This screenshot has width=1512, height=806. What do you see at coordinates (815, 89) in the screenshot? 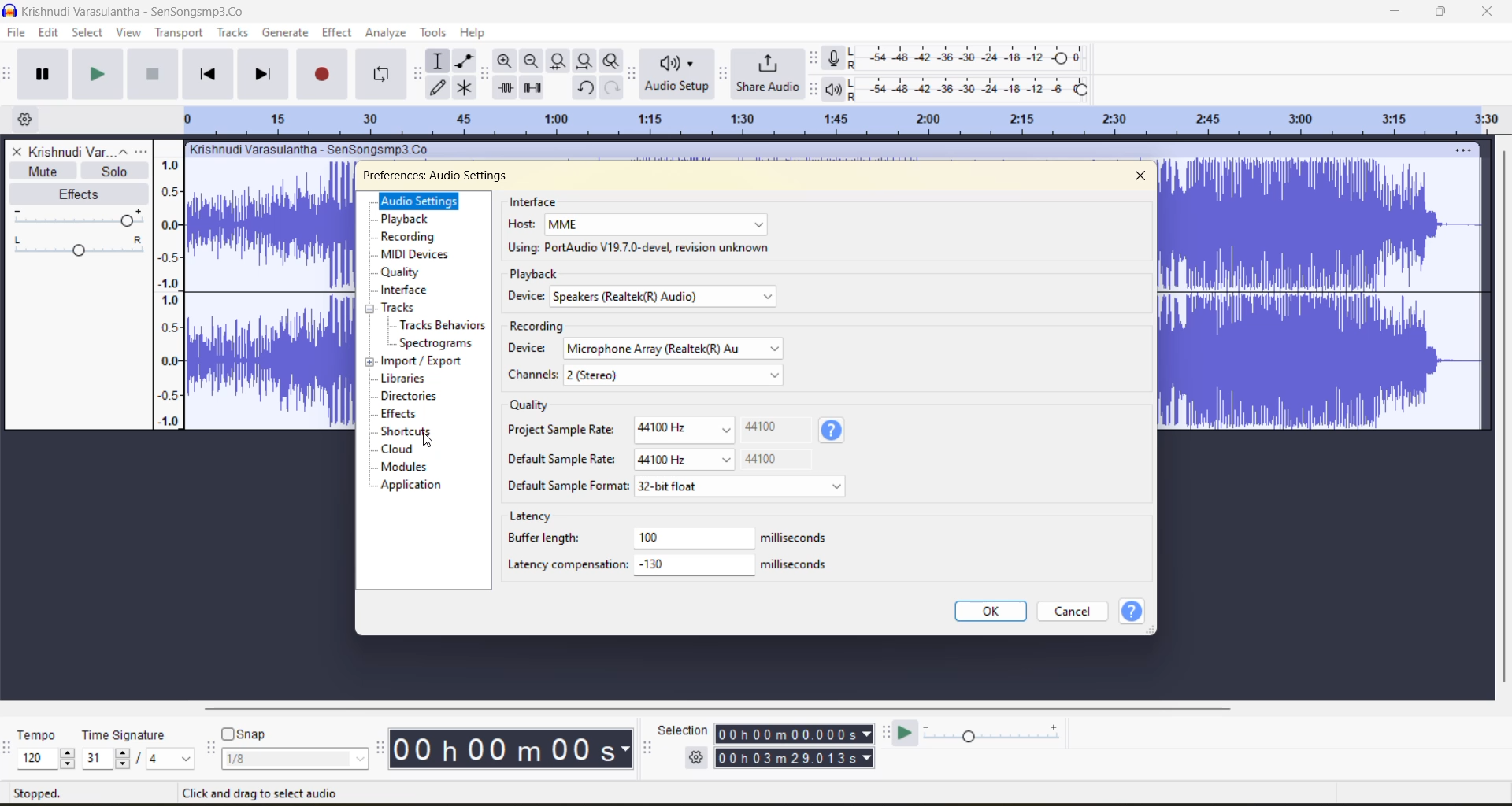
I see `playback meter toolbar` at bounding box center [815, 89].